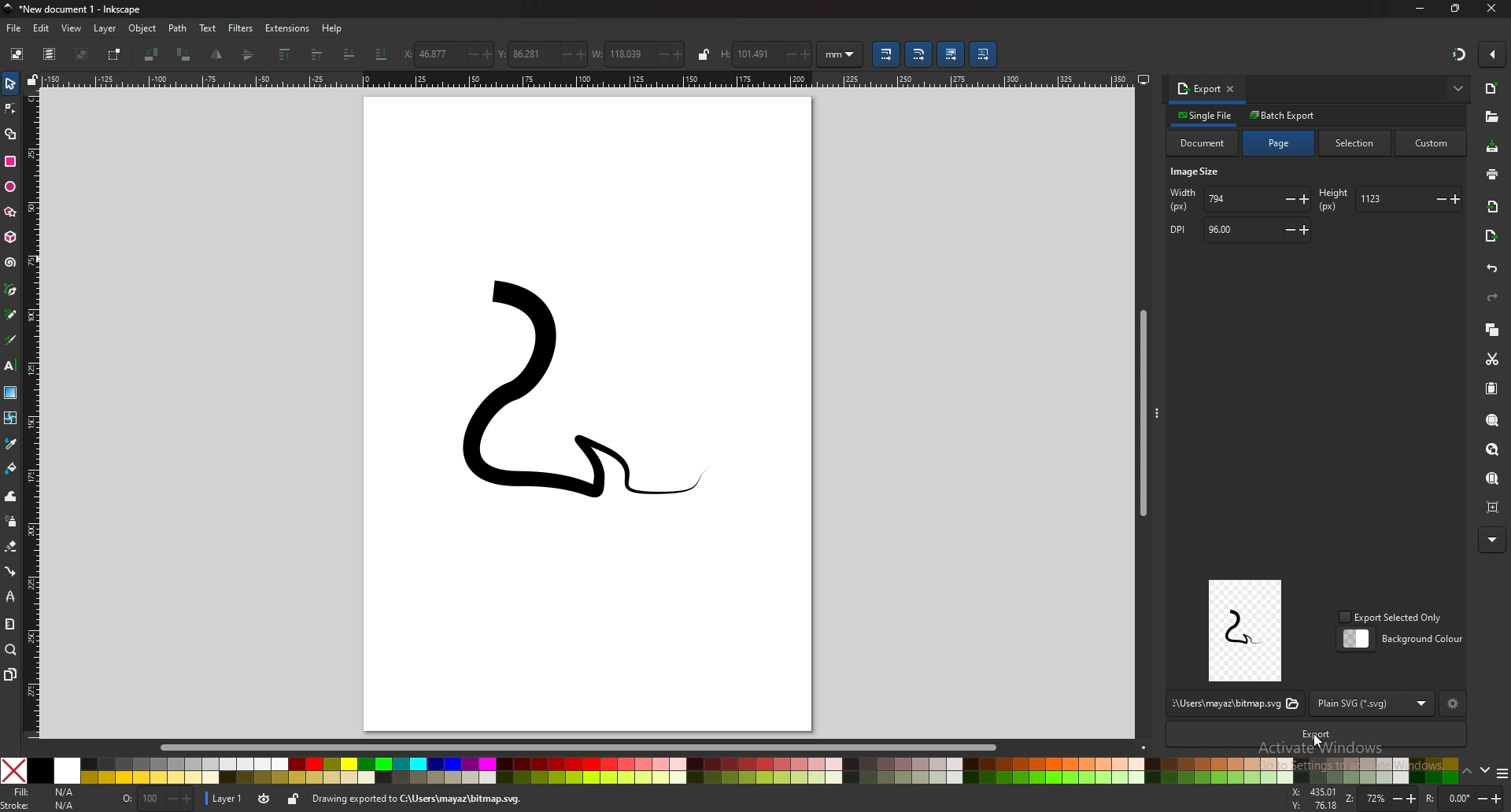 This screenshot has width=1511, height=812. Describe the element at coordinates (34, 412) in the screenshot. I see `vertical scale` at that location.